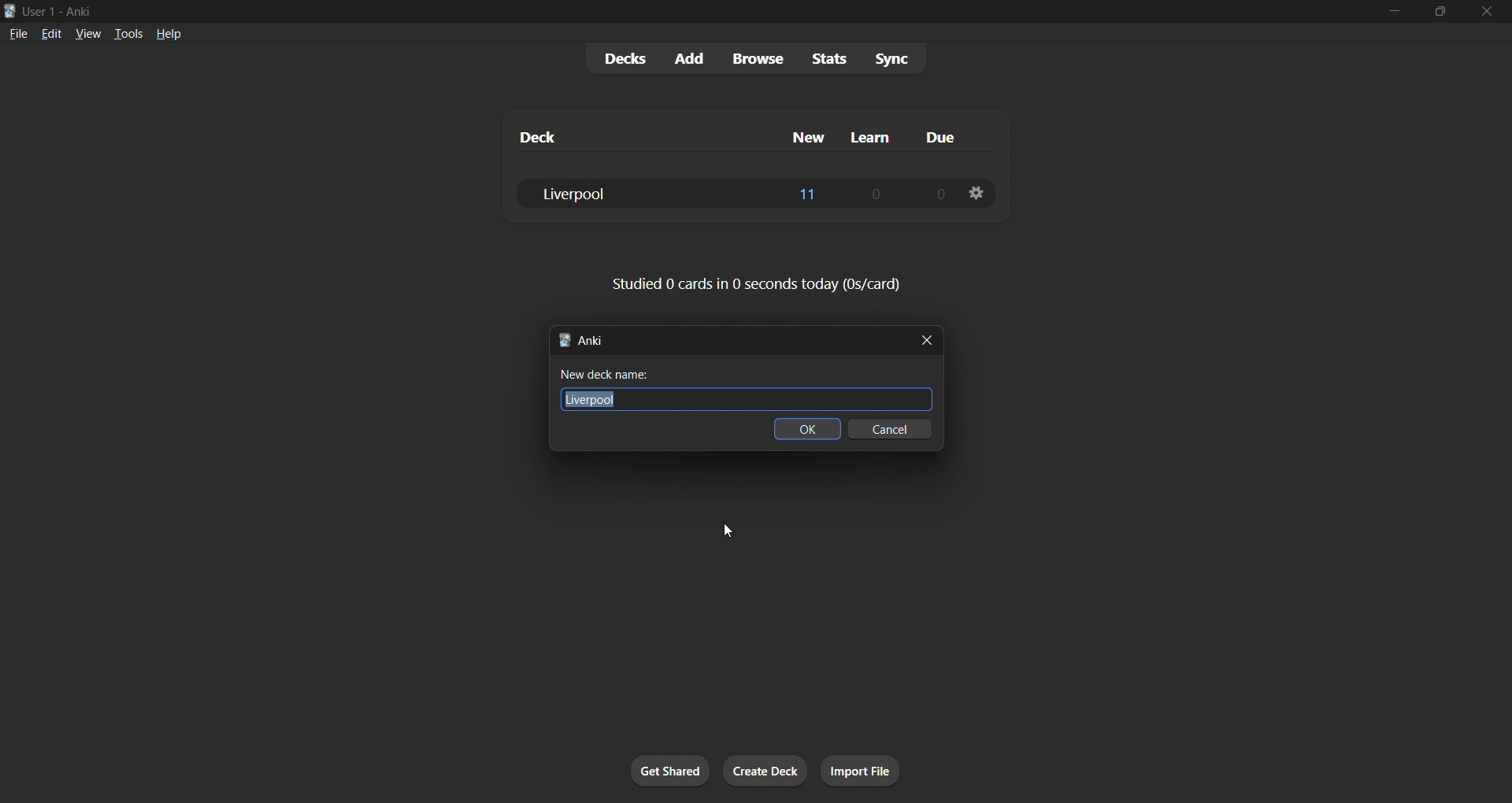 This screenshot has height=803, width=1512. I want to click on close, so click(1489, 12).